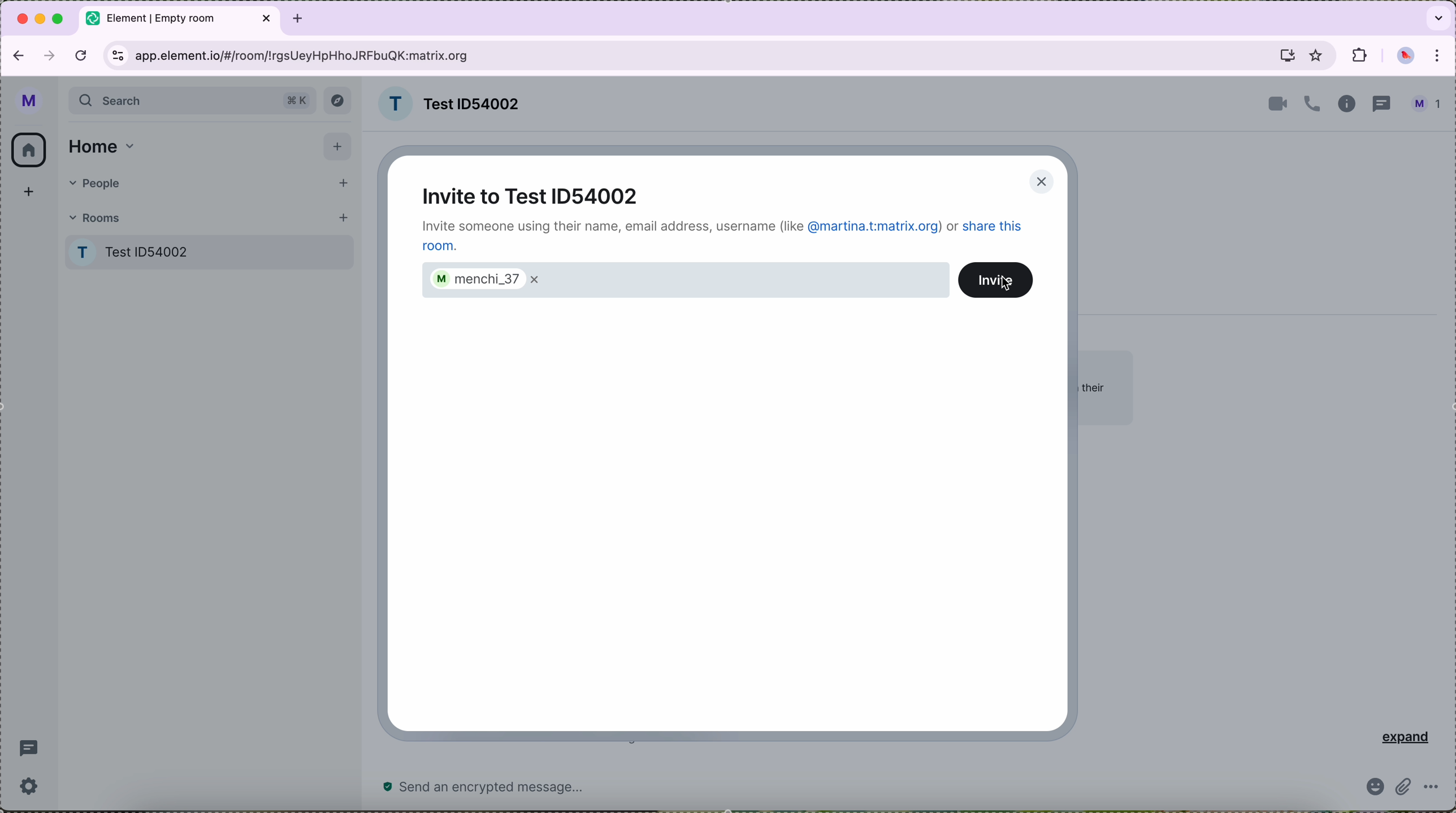 This screenshot has height=813, width=1456. Describe the element at coordinates (725, 234) in the screenshot. I see `note` at that location.